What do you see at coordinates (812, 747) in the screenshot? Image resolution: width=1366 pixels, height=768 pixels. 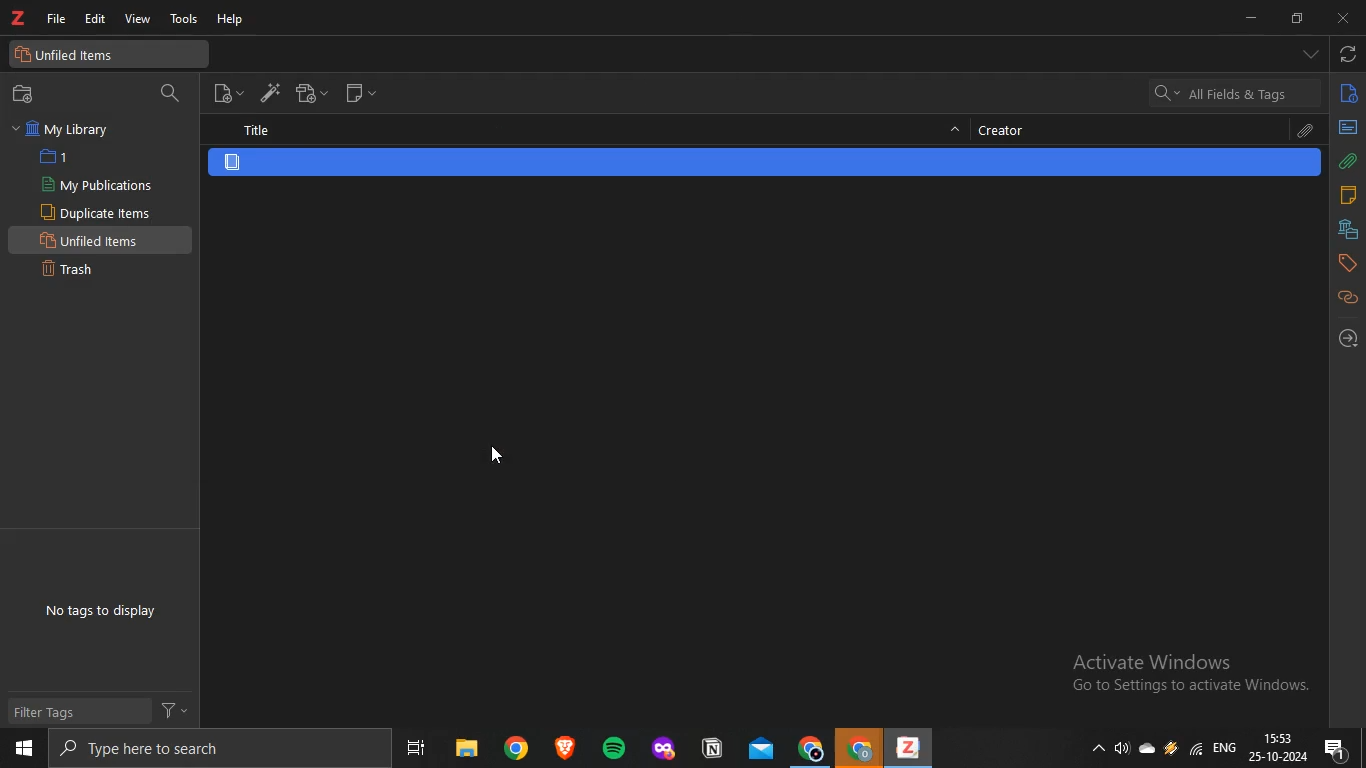 I see `chrome` at bounding box center [812, 747].